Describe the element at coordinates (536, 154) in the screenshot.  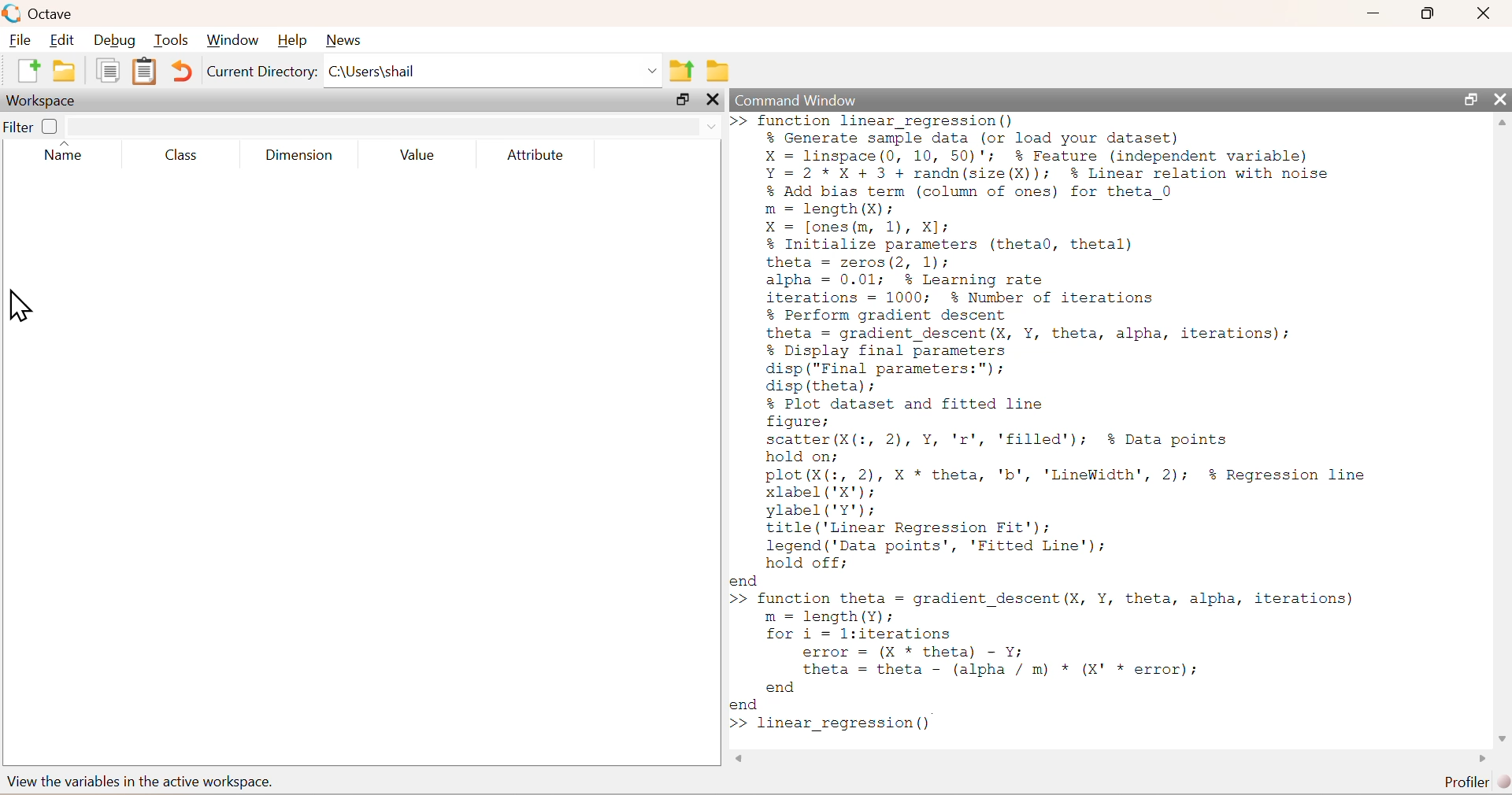
I see `Attribute` at that location.